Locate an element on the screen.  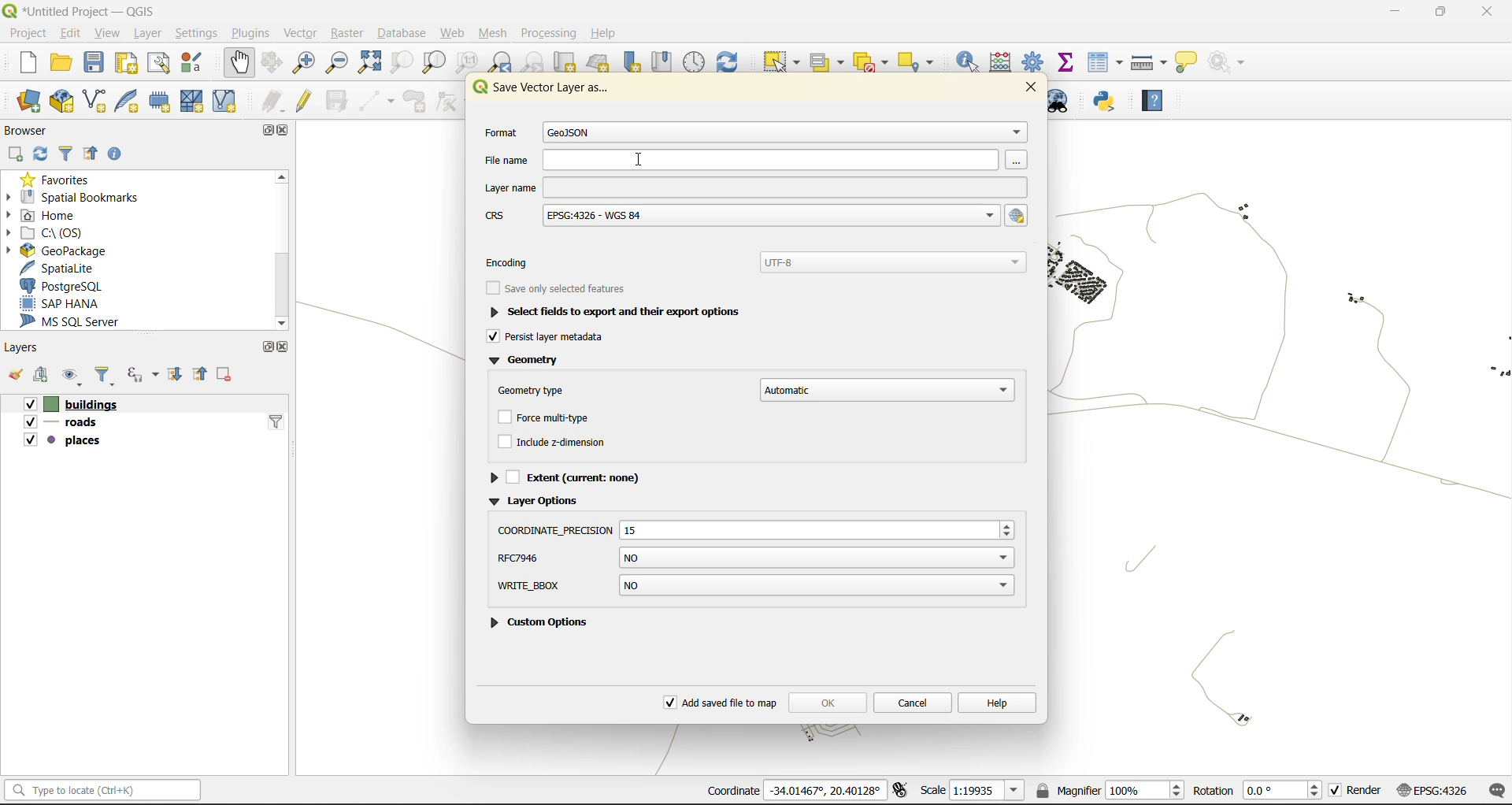
coordinates is located at coordinates (799, 792).